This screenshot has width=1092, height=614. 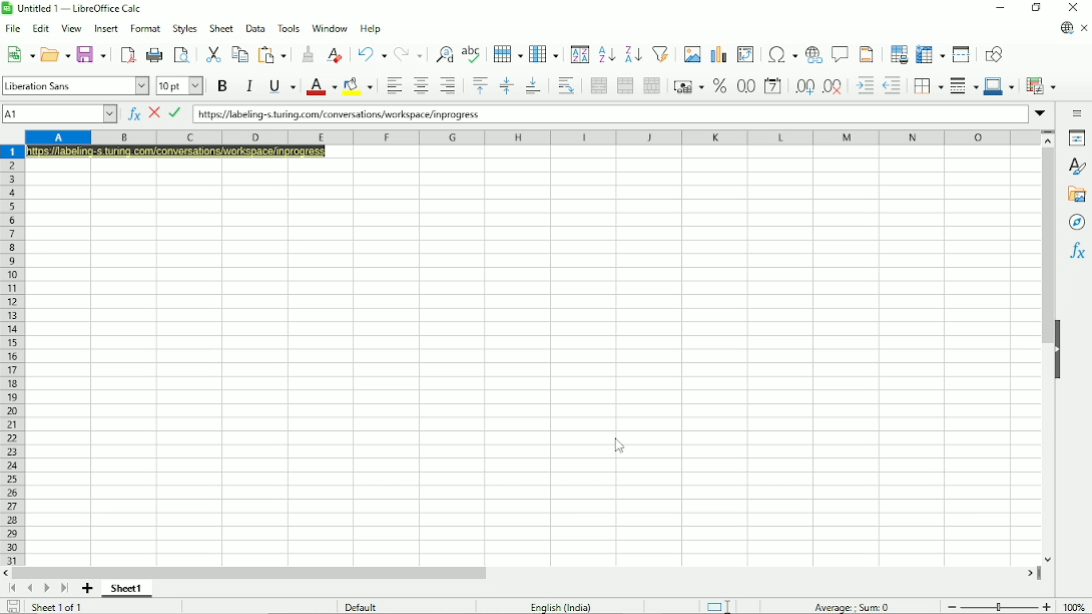 I want to click on Font color, so click(x=321, y=87).